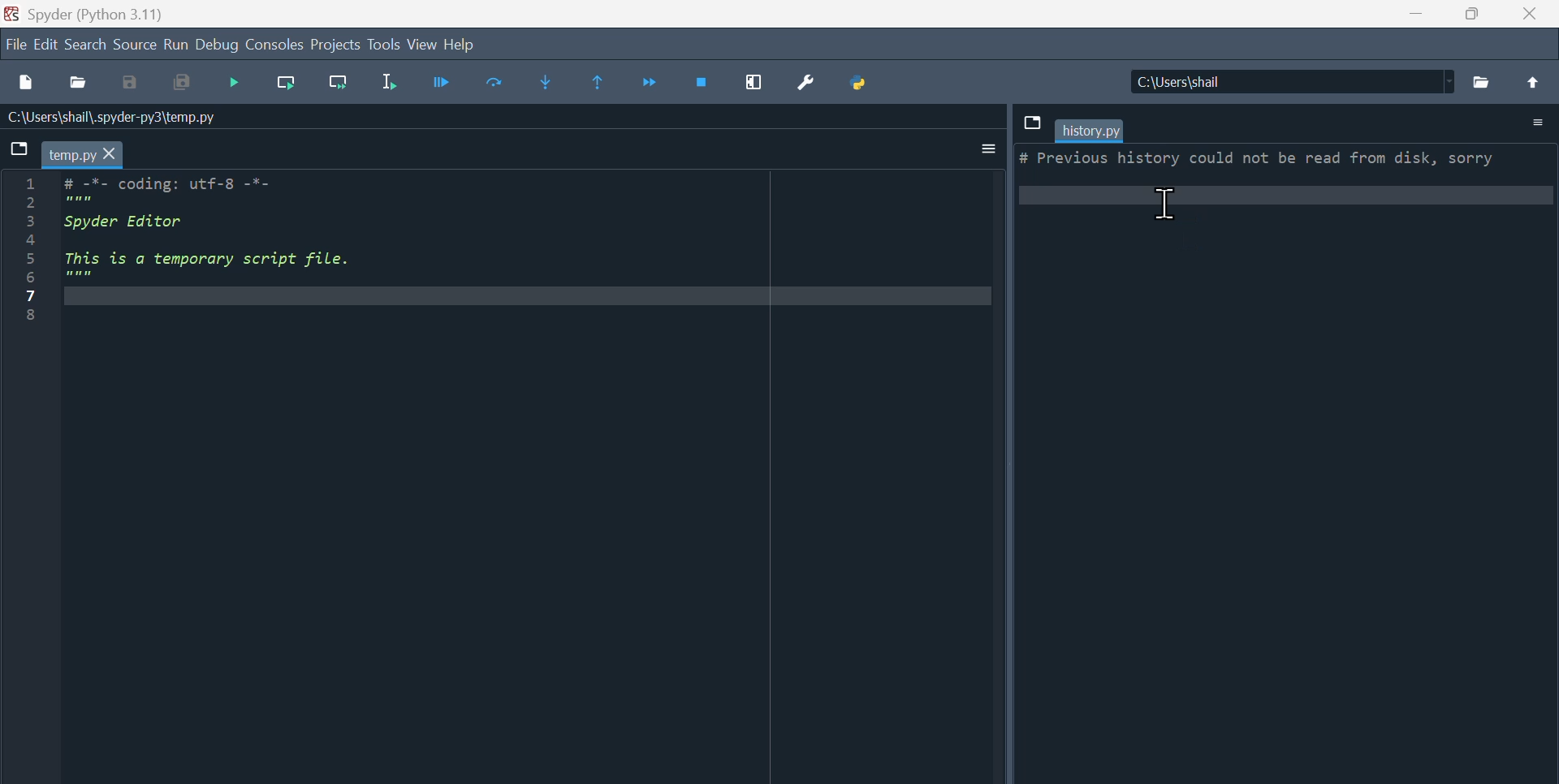  I want to click on Move up, so click(1532, 82).